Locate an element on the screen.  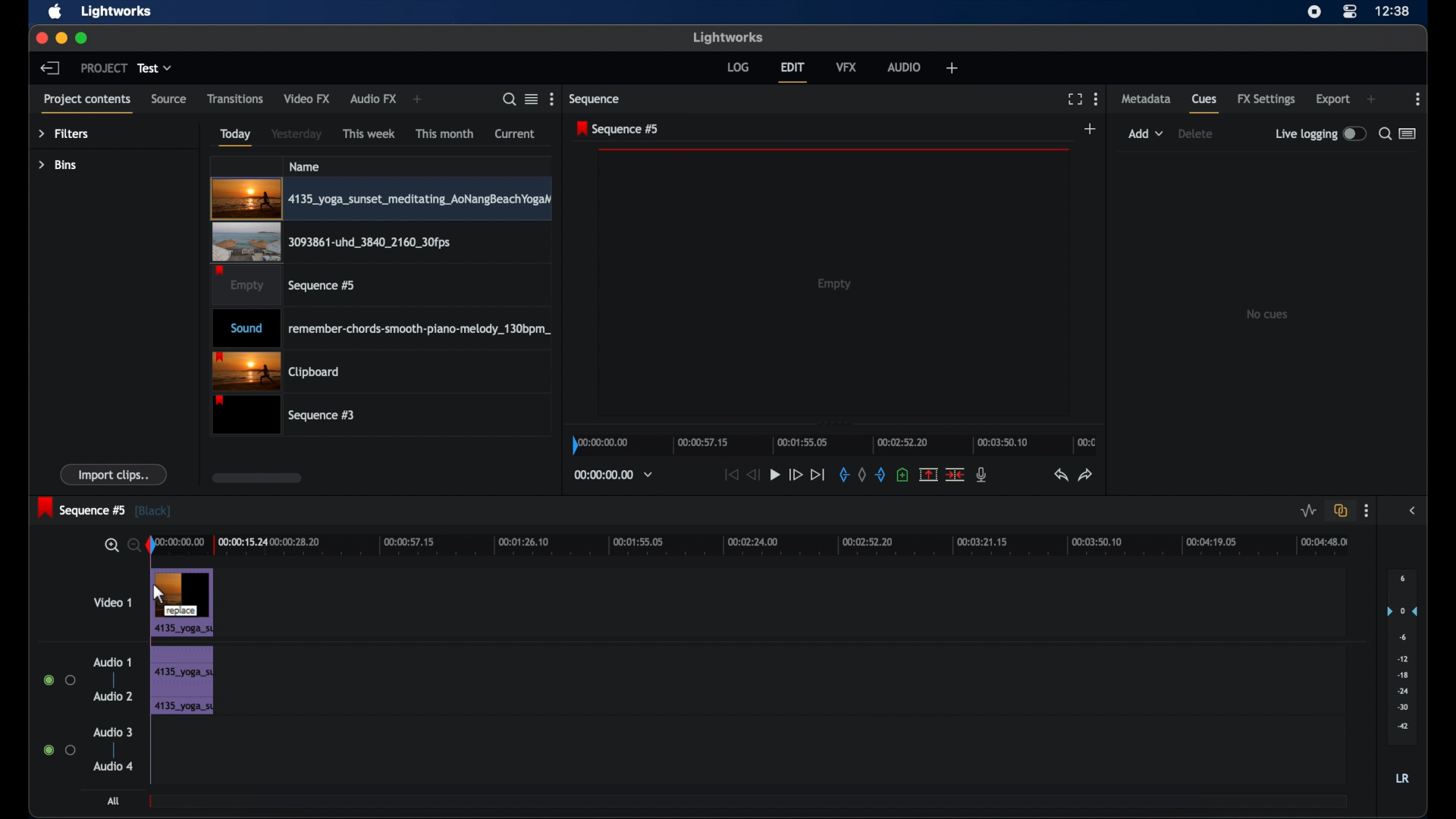
more options is located at coordinates (1419, 99).